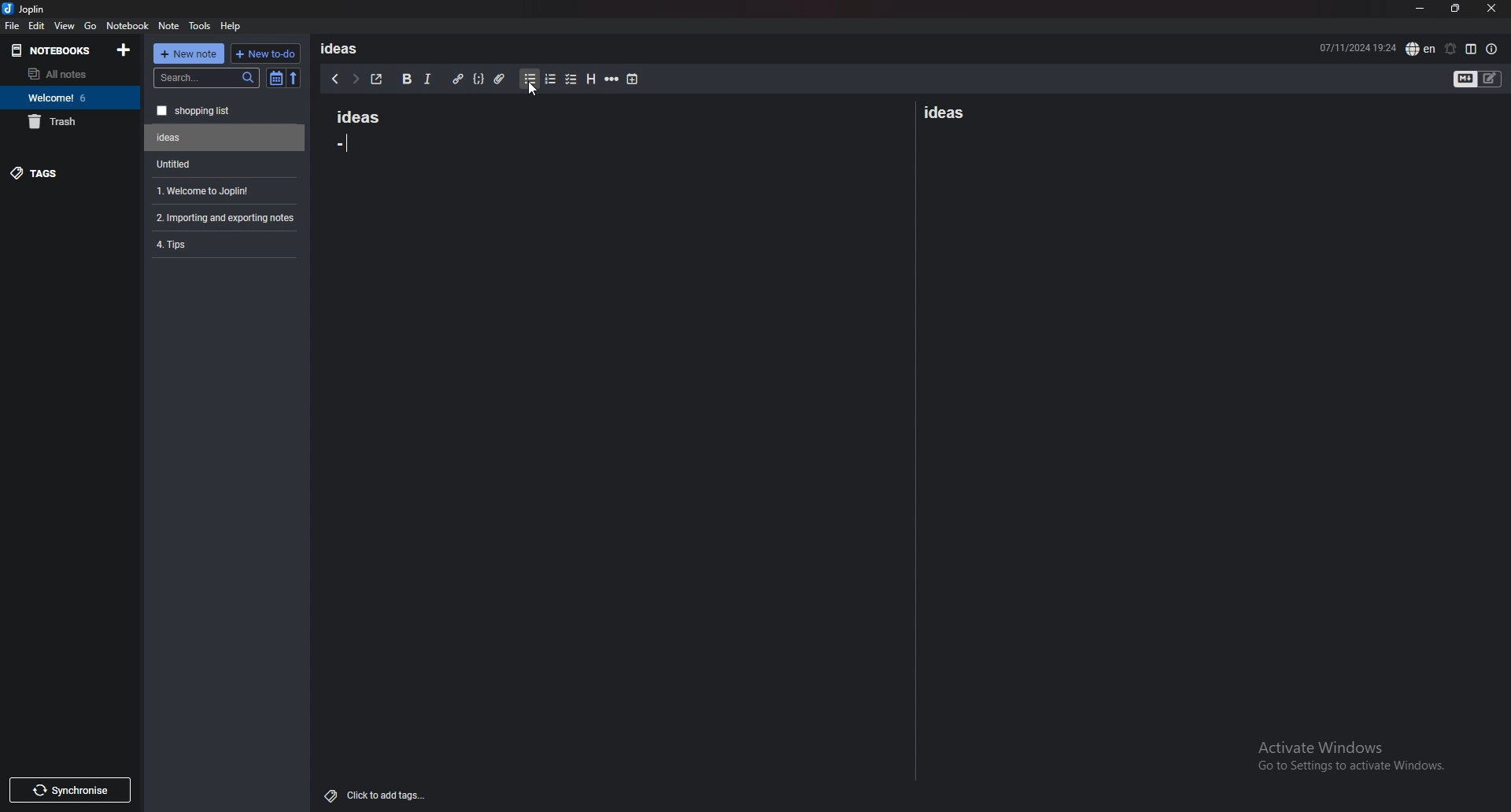 The height and width of the screenshot is (812, 1511). What do you see at coordinates (355, 79) in the screenshot?
I see `next` at bounding box center [355, 79].